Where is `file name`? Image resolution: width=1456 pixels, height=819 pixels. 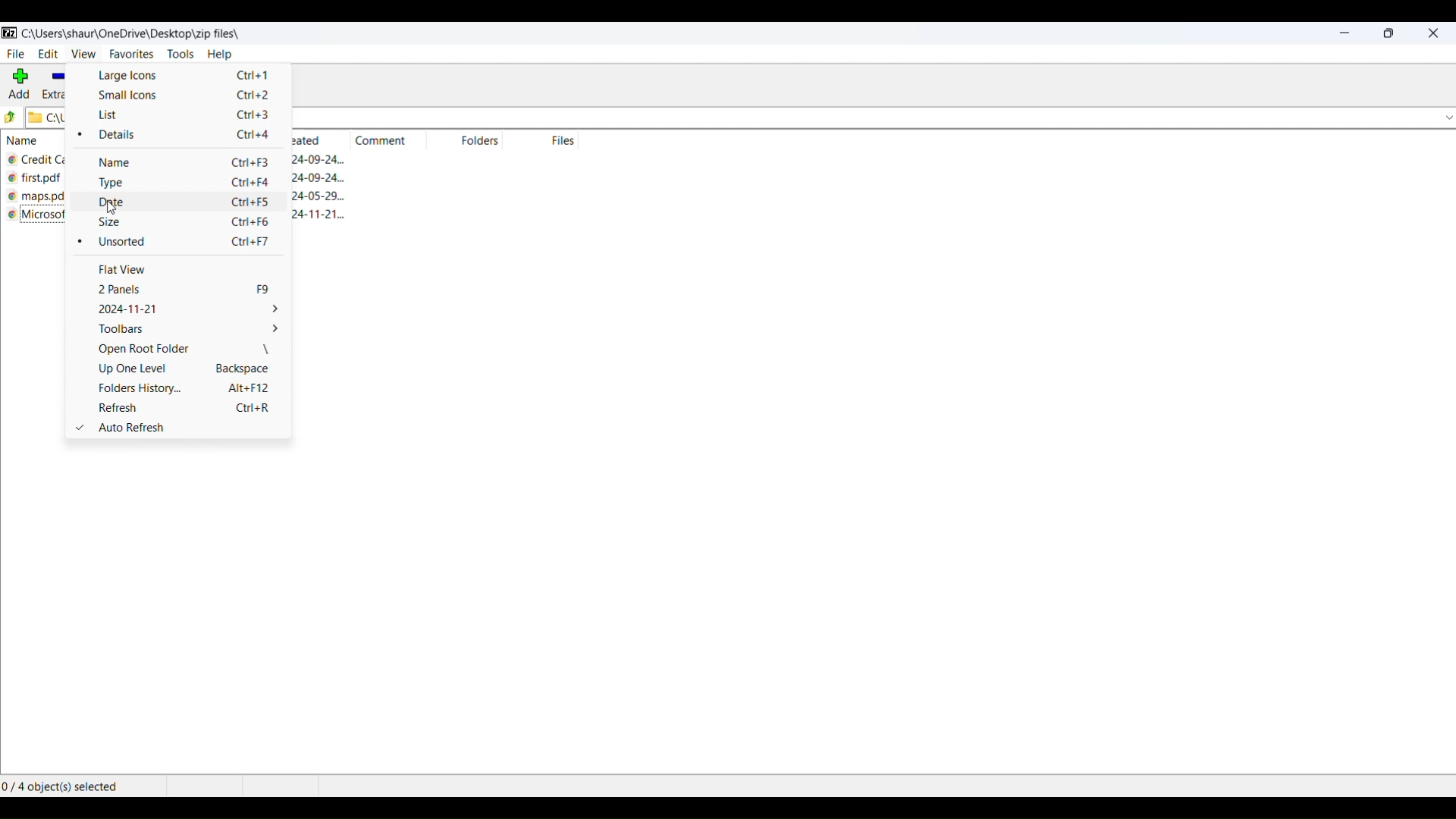 file name is located at coordinates (39, 199).